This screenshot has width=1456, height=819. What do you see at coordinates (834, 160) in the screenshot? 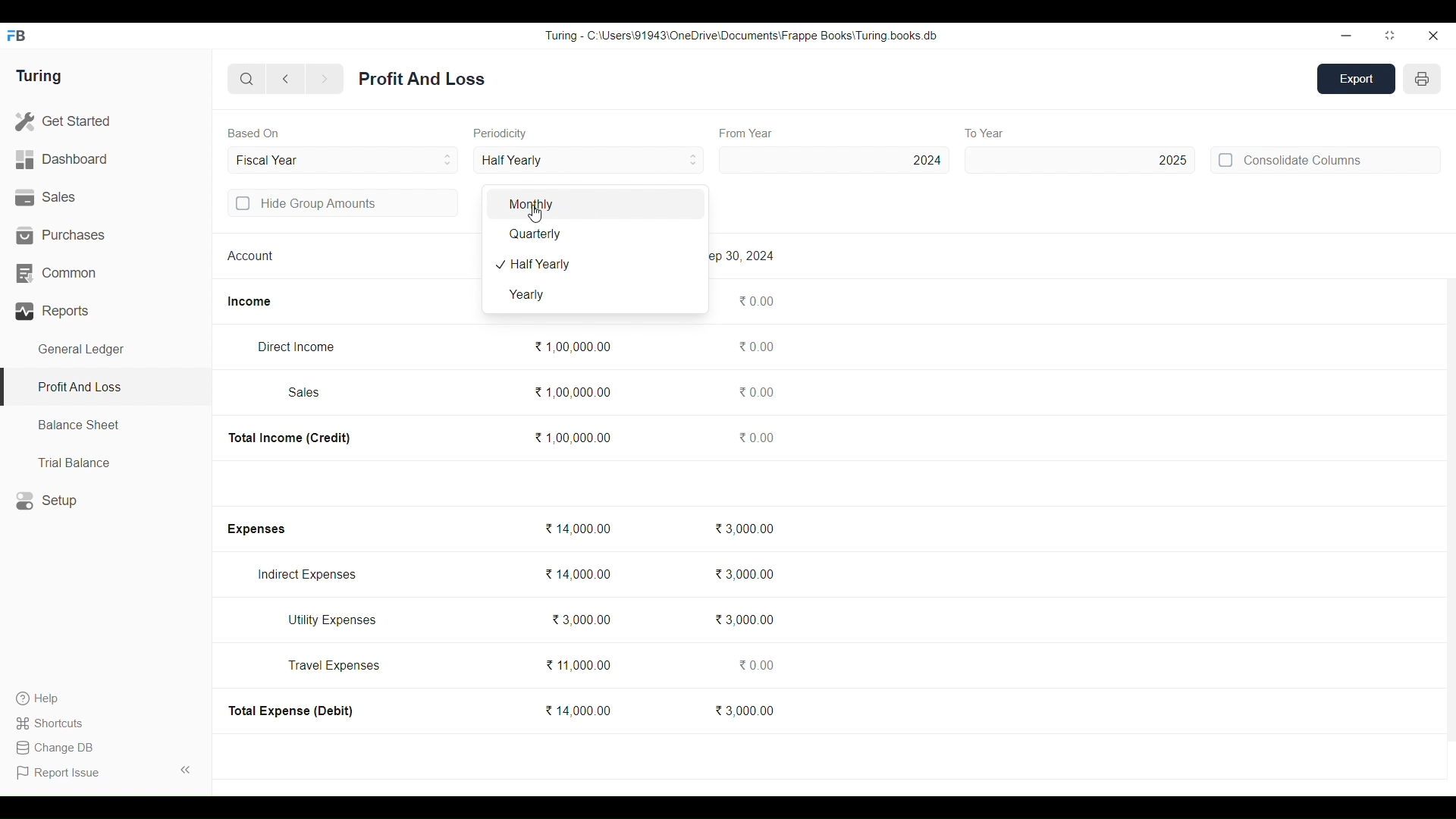
I see `2024` at bounding box center [834, 160].